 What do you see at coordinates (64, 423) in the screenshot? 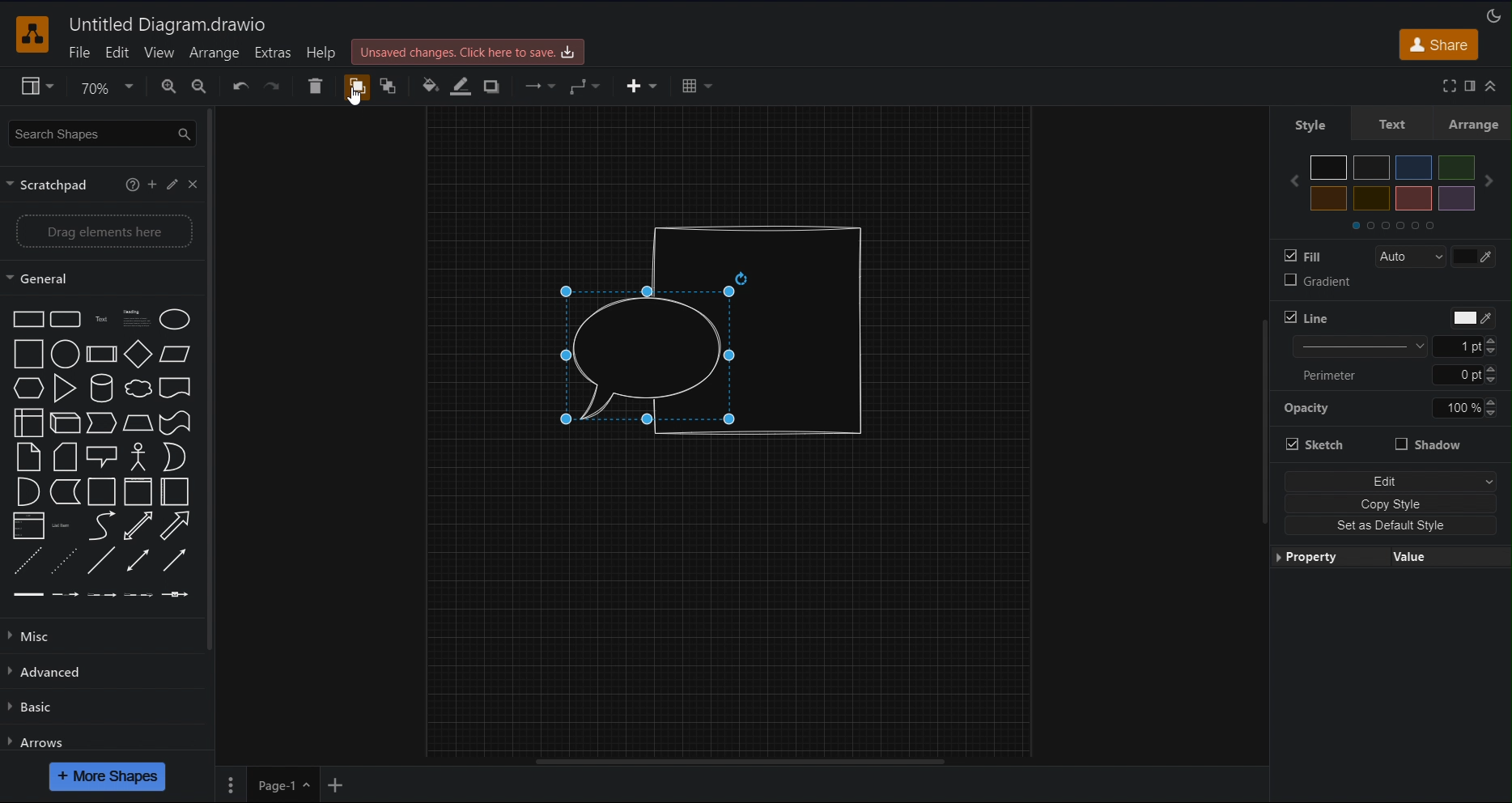
I see `Cube` at bounding box center [64, 423].